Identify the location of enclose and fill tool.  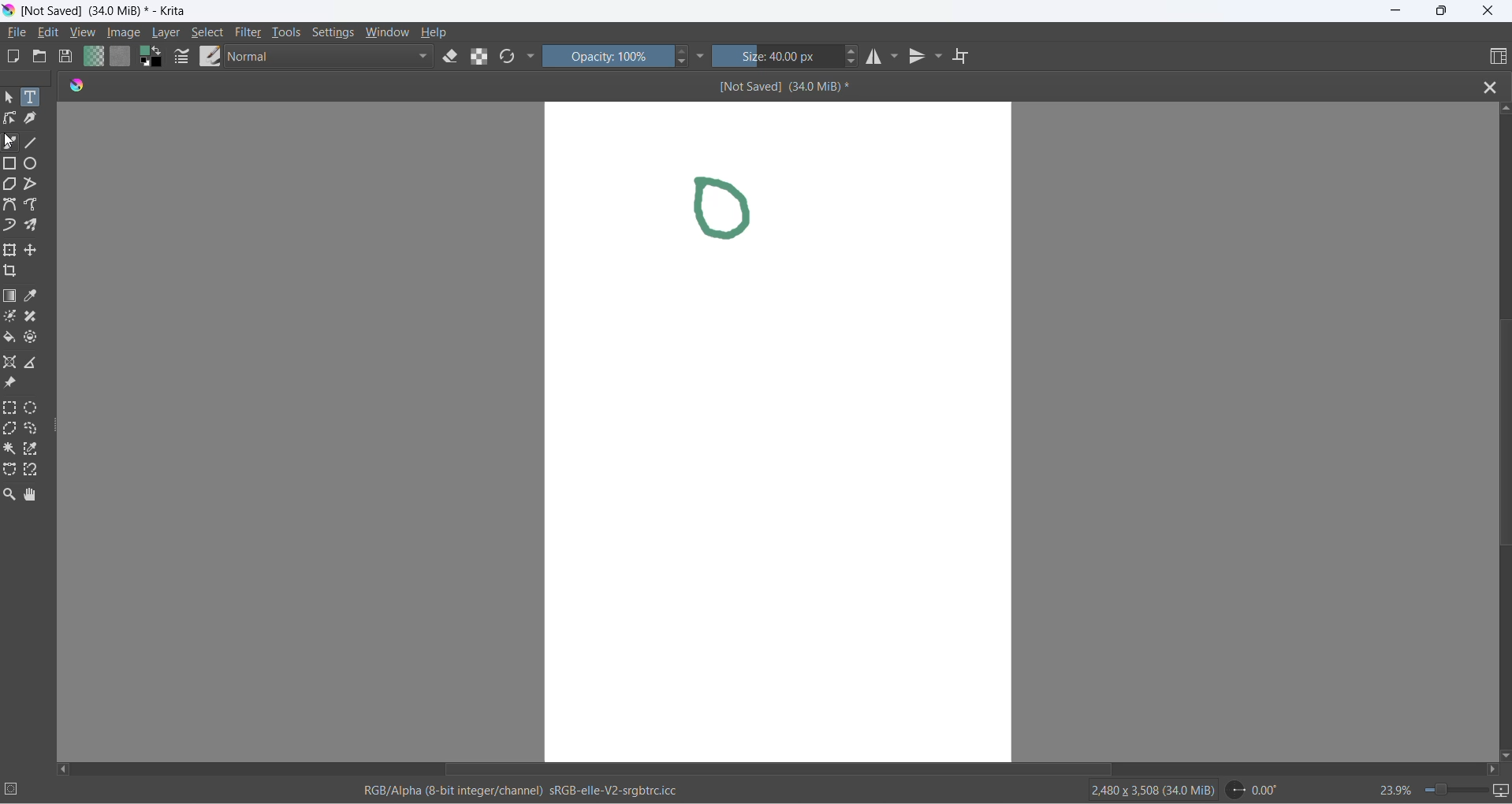
(35, 336).